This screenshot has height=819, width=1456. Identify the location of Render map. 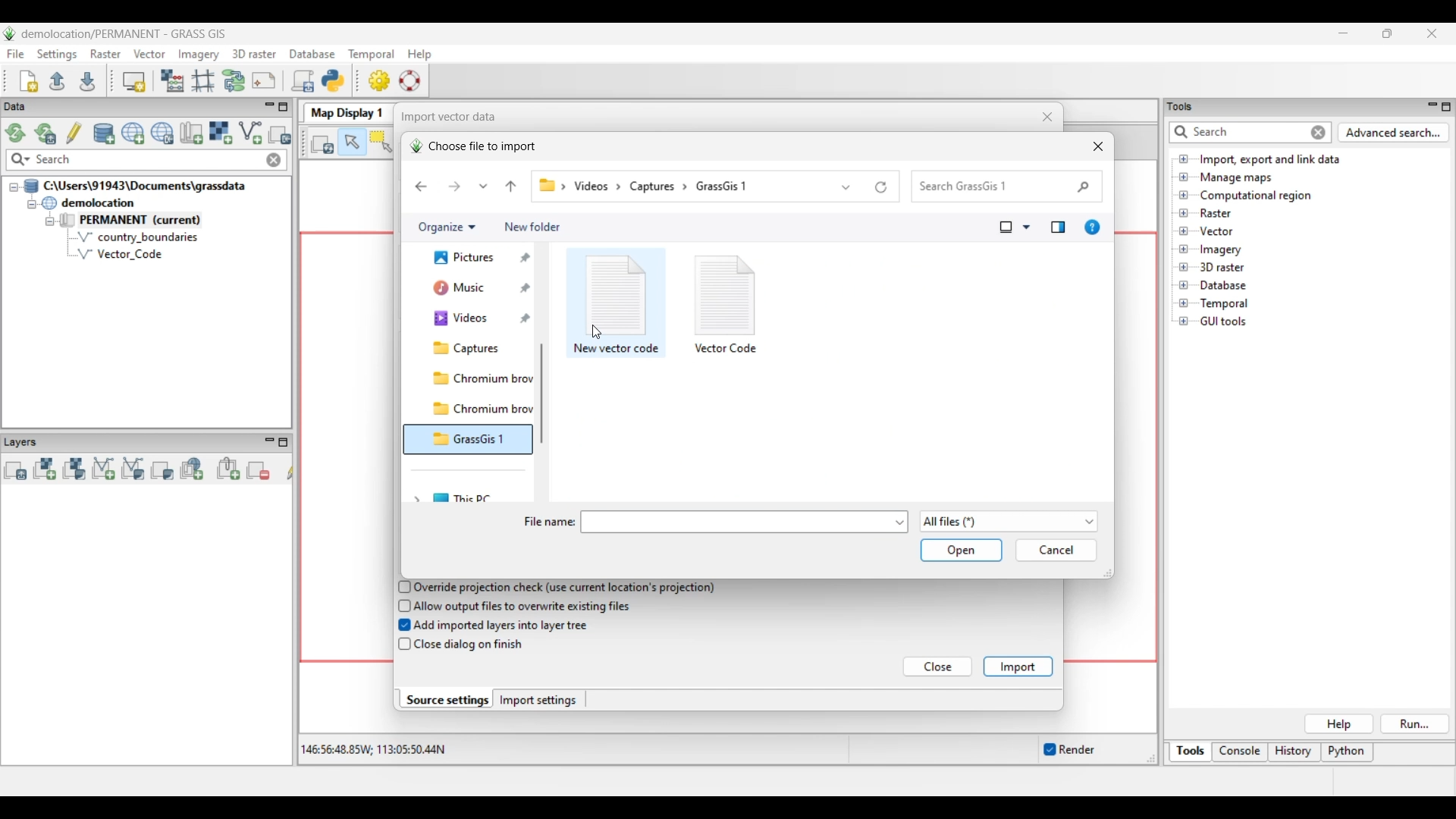
(323, 143).